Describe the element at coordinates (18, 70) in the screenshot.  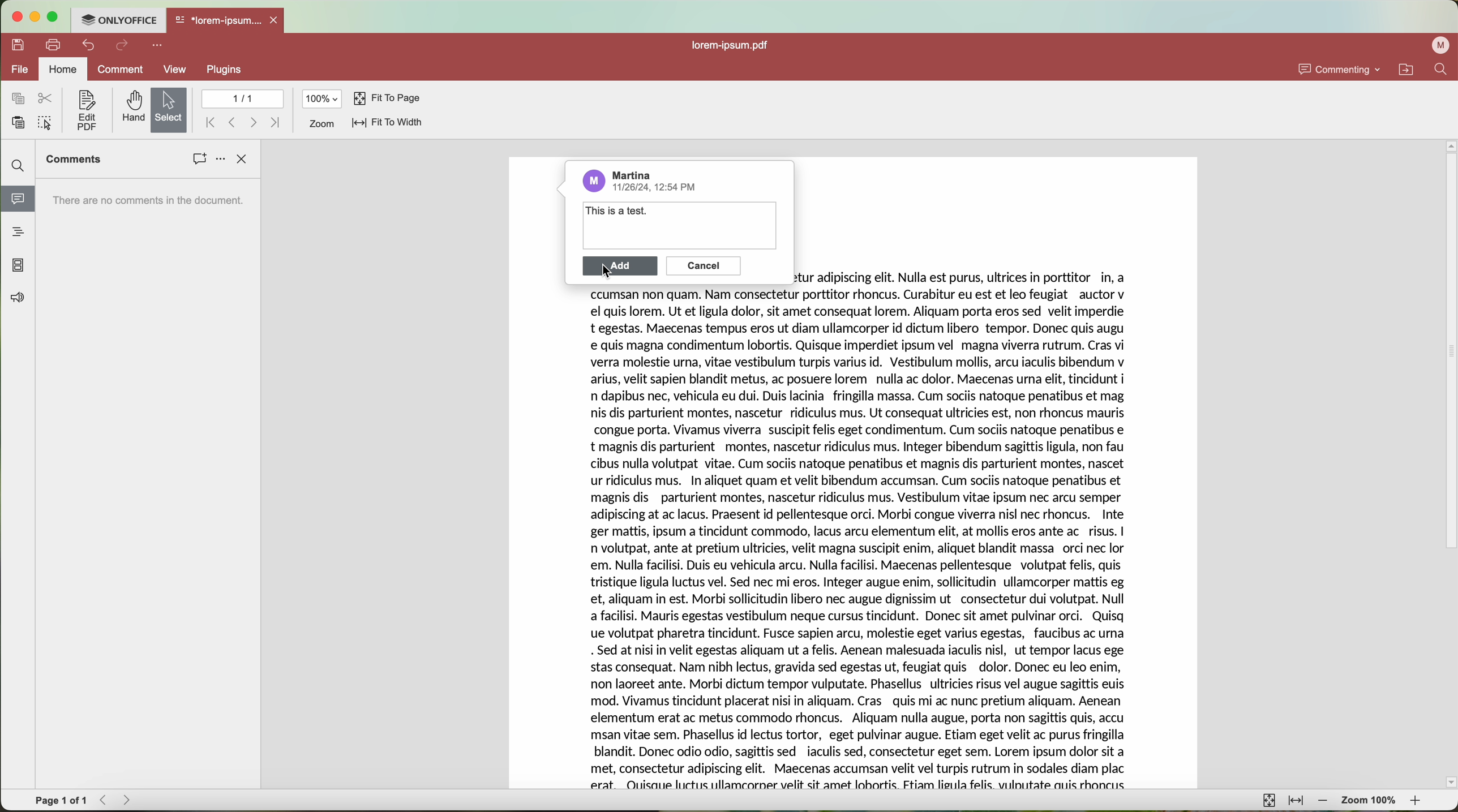
I see `file` at that location.